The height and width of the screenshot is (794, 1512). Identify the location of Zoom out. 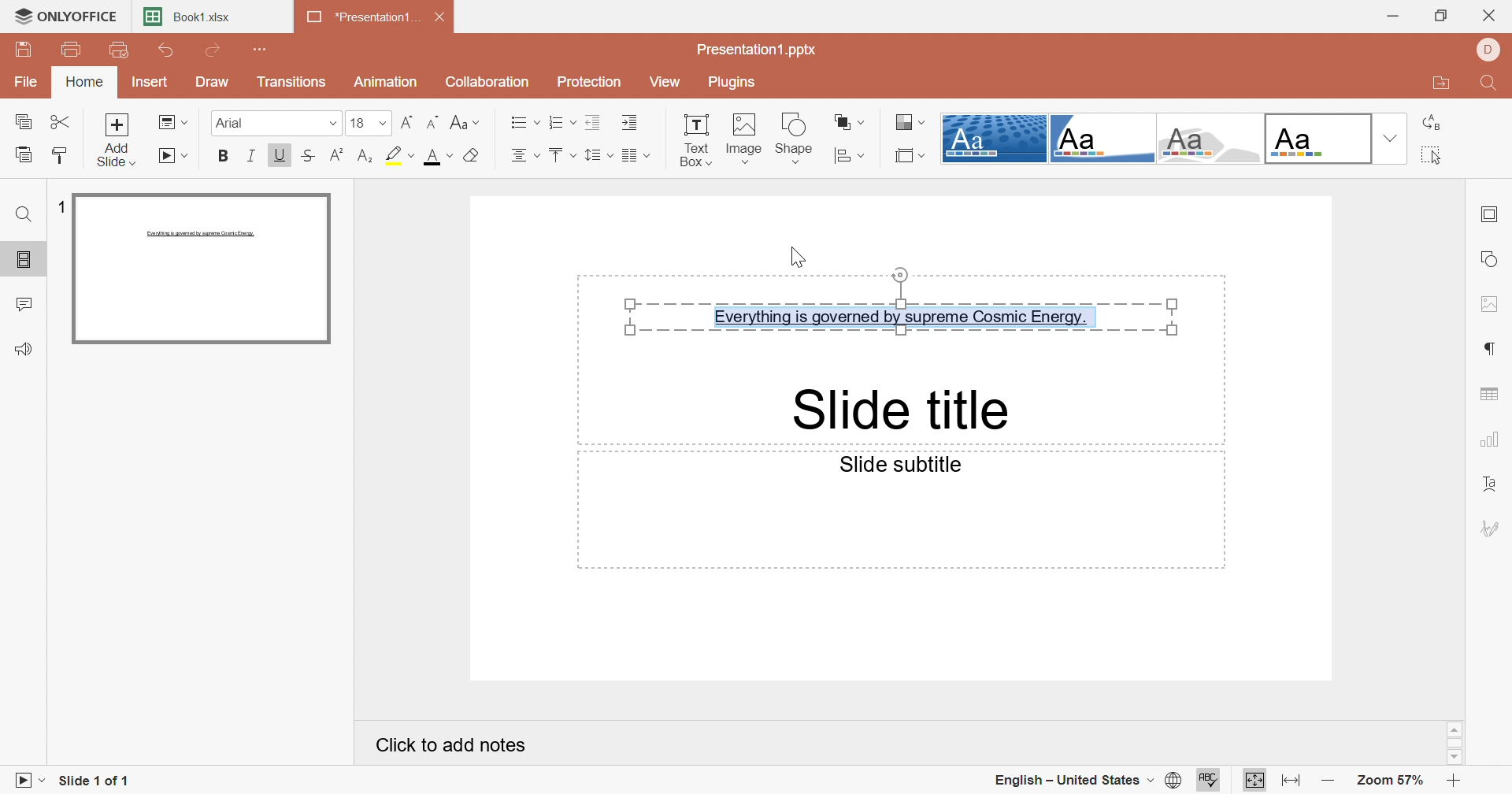
(1328, 779).